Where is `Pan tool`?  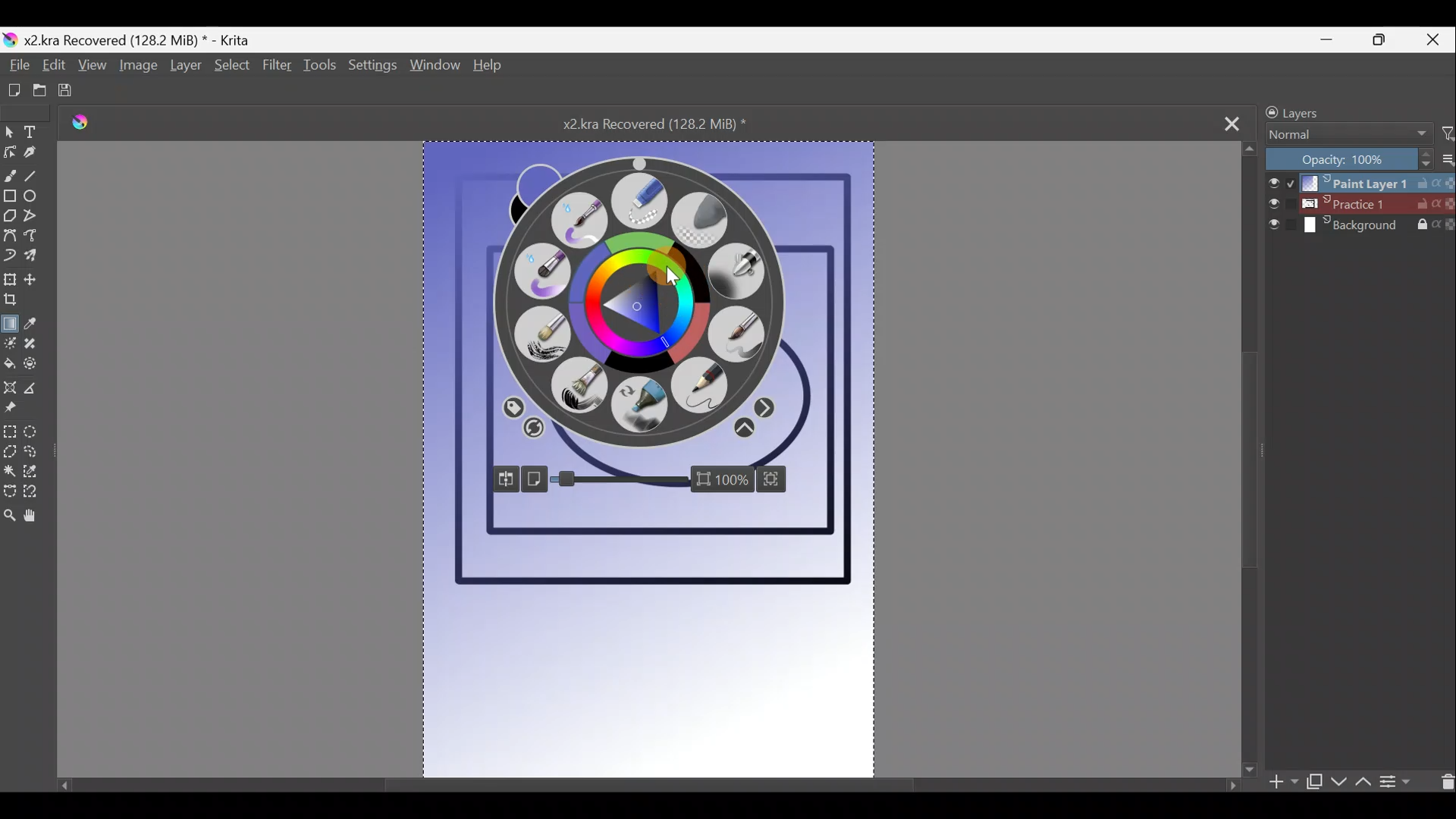
Pan tool is located at coordinates (35, 519).